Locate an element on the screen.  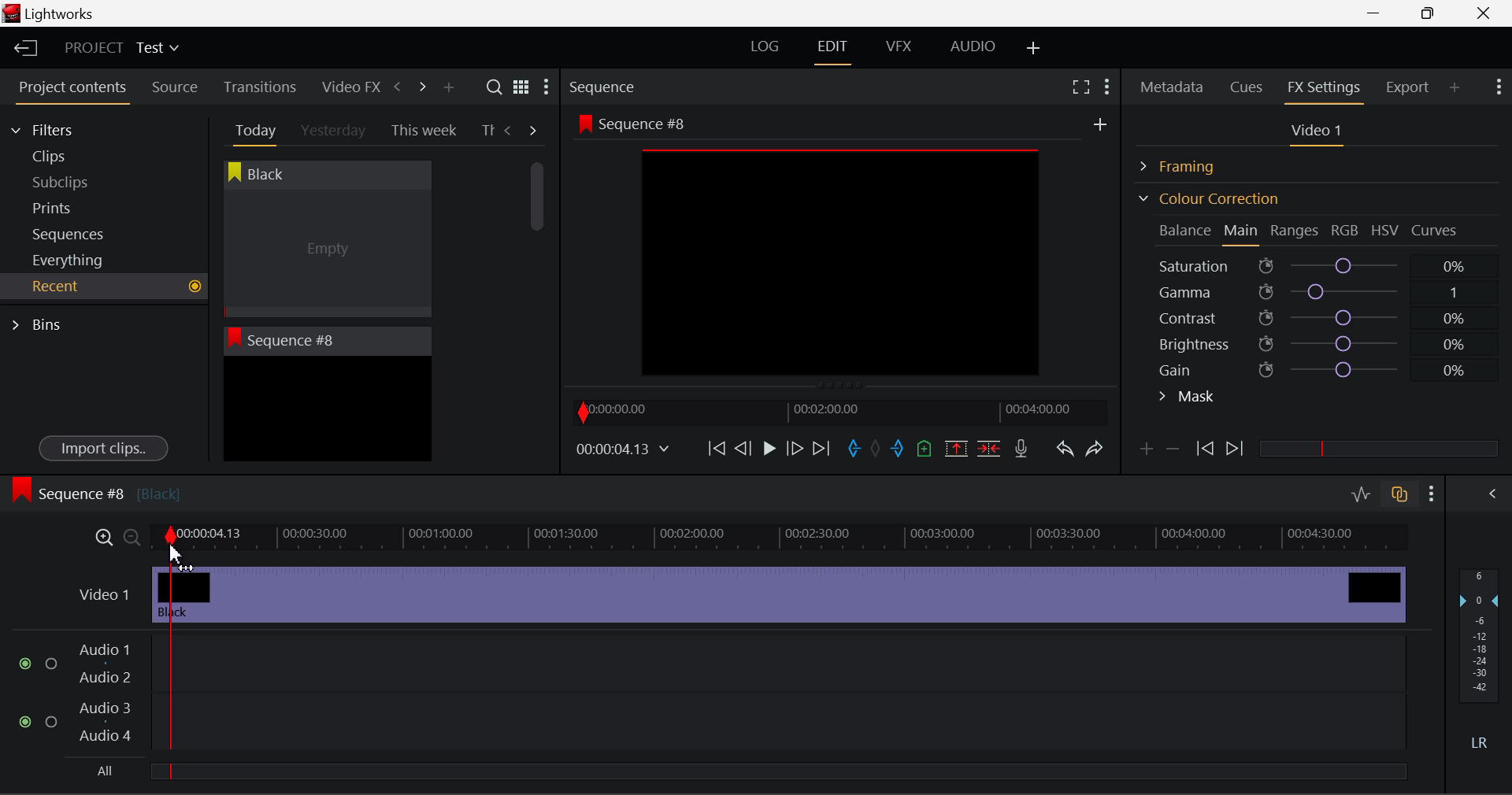
Next Tab is located at coordinates (534, 129).